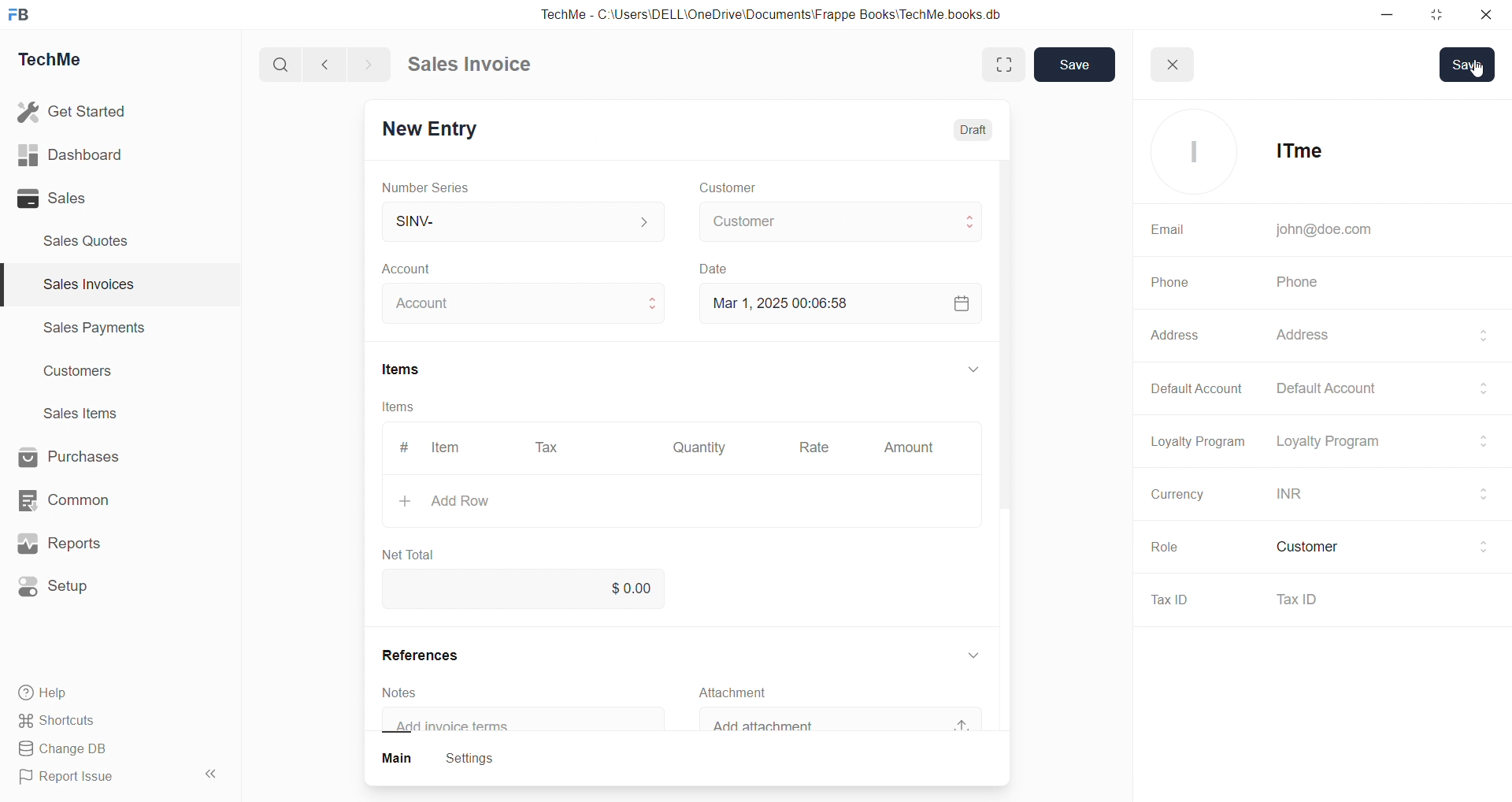  What do you see at coordinates (644, 302) in the screenshot?
I see `Increase decrease button` at bounding box center [644, 302].